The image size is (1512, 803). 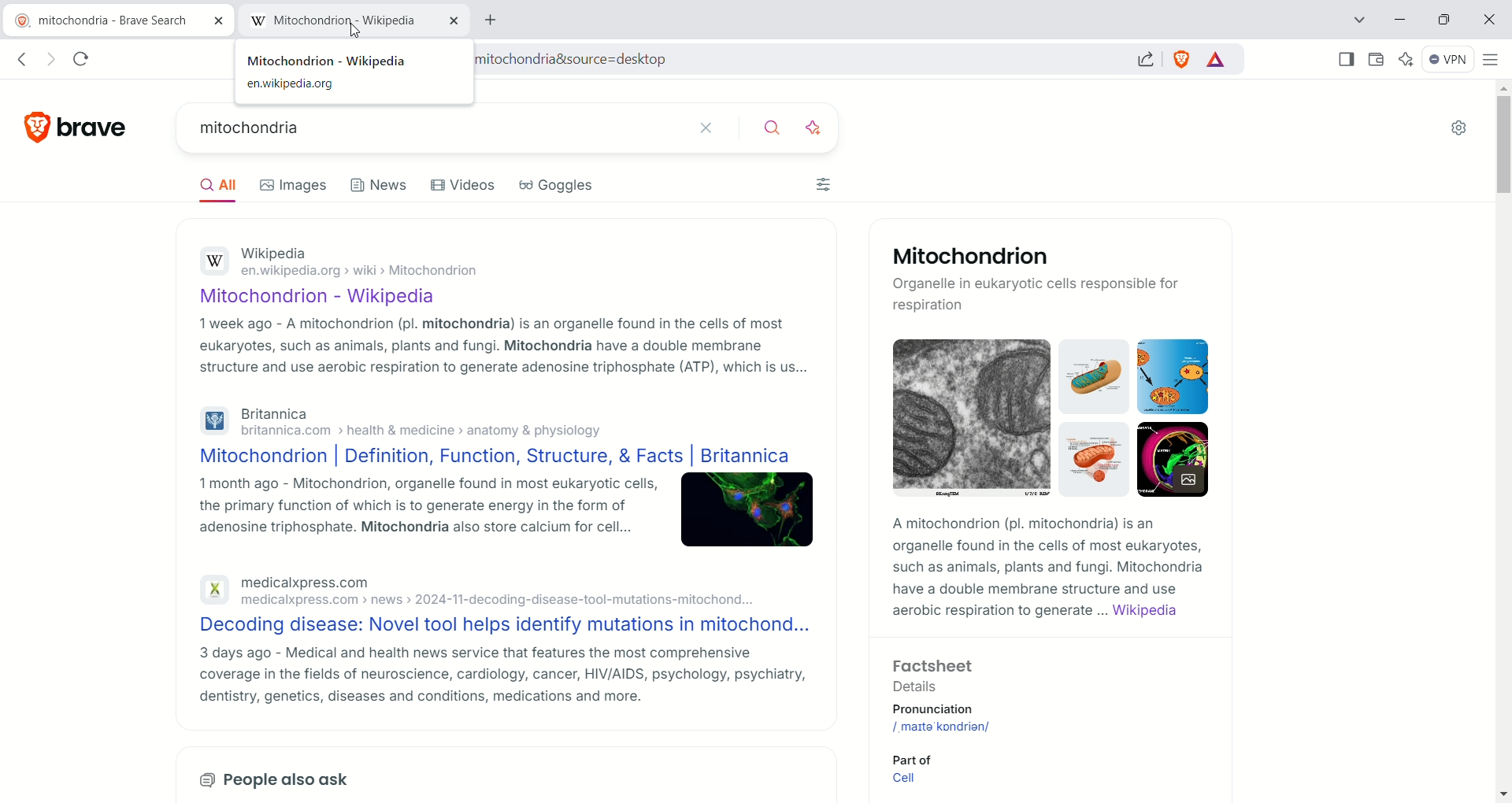 I want to click on Factsheet, so click(x=926, y=664).